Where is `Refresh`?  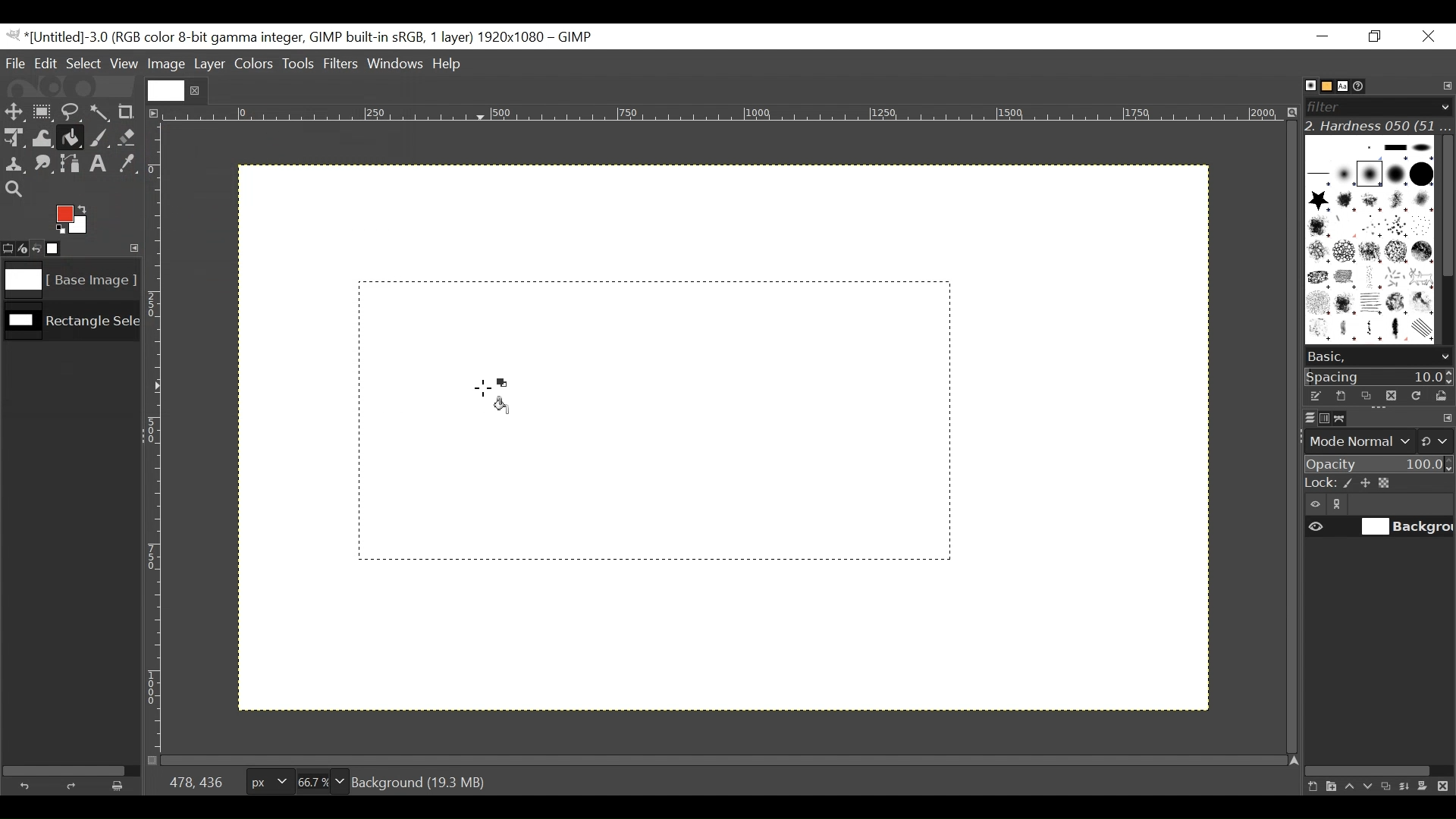
Refresh is located at coordinates (1414, 394).